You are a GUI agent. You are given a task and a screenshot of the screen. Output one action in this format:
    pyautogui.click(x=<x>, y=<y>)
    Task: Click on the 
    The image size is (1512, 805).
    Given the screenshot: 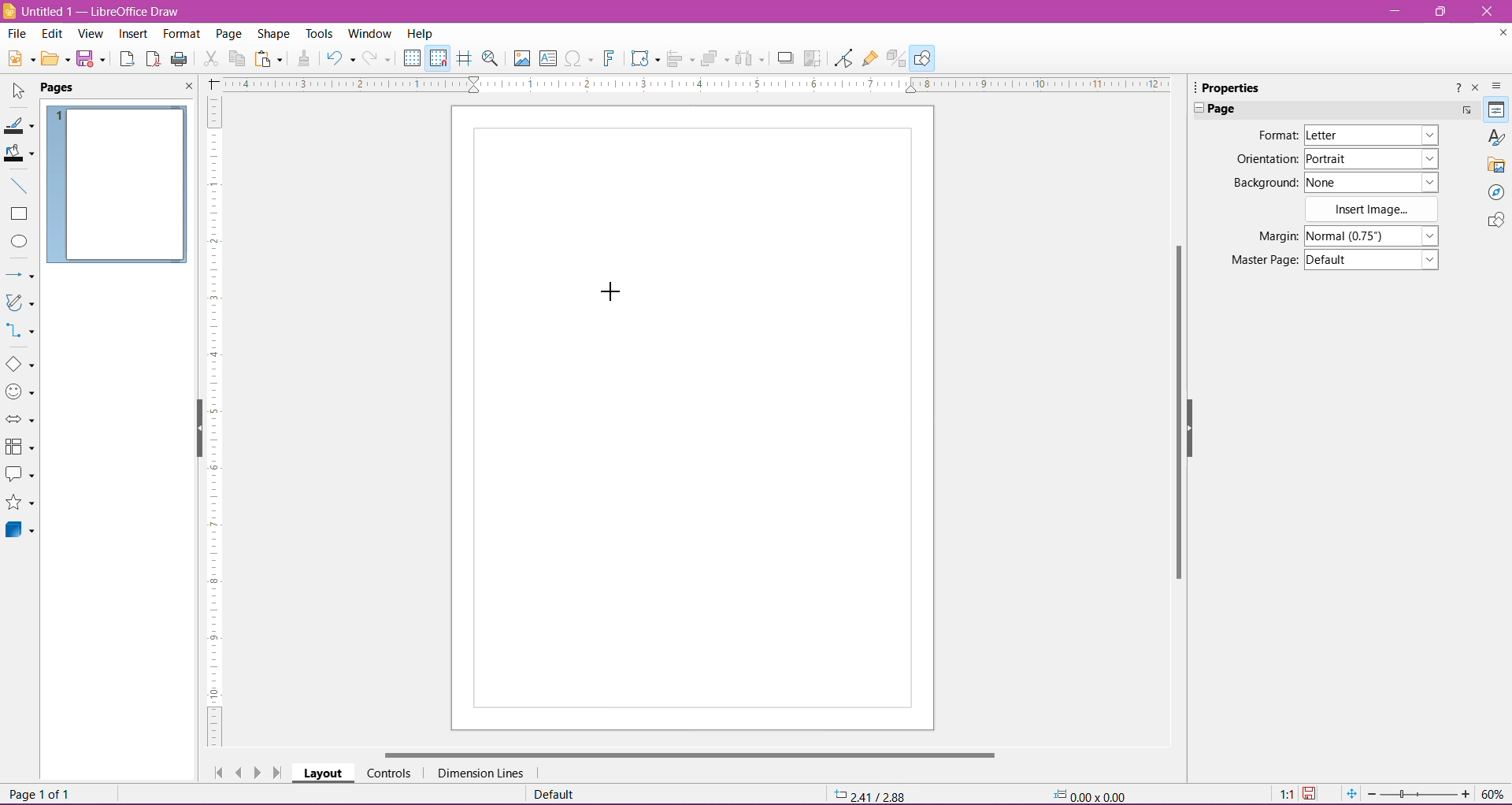 What is the action you would take?
    pyautogui.click(x=379, y=58)
    